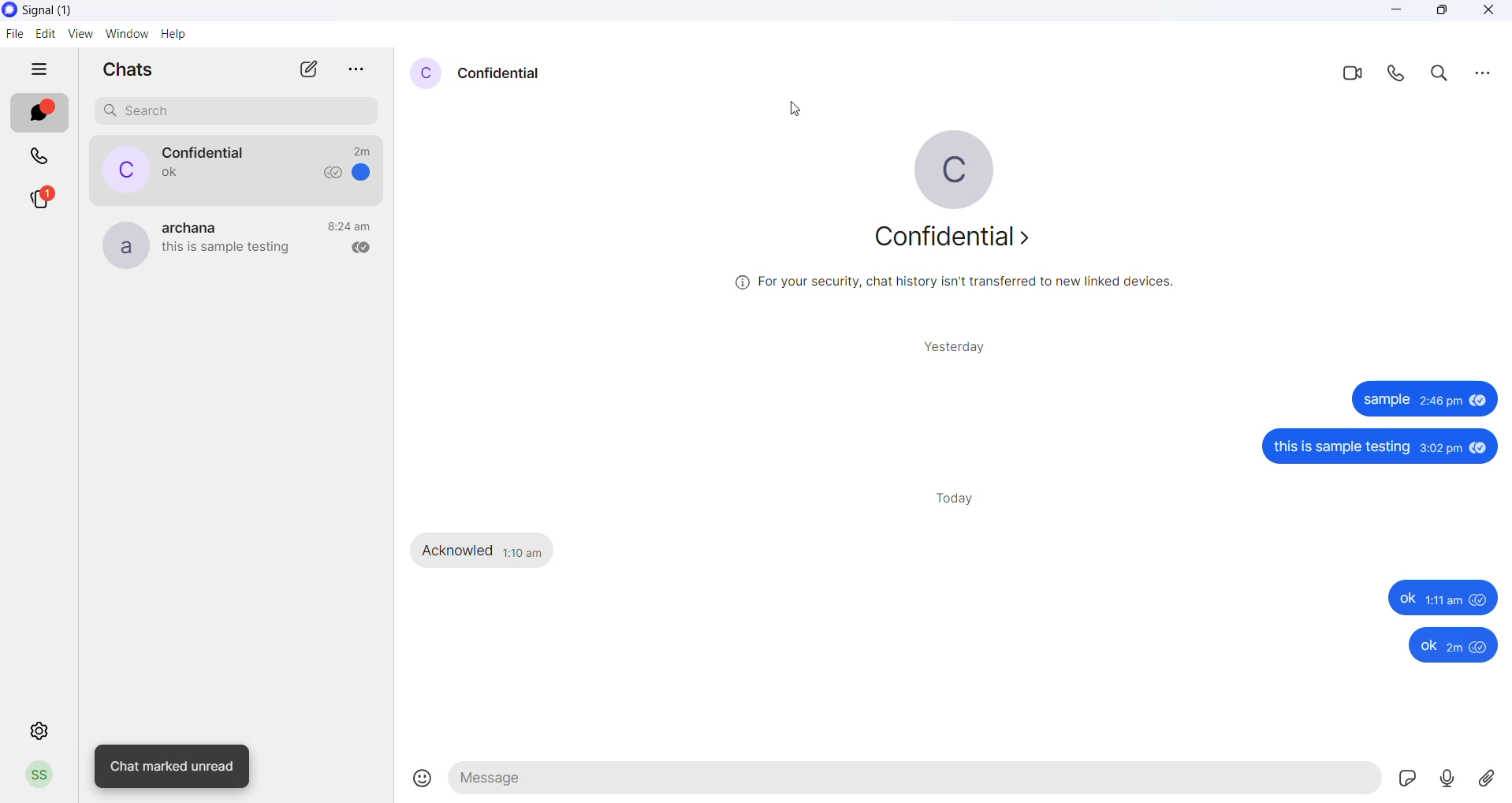 This screenshot has width=1512, height=803. Describe the element at coordinates (121, 243) in the screenshot. I see `profile picture` at that location.